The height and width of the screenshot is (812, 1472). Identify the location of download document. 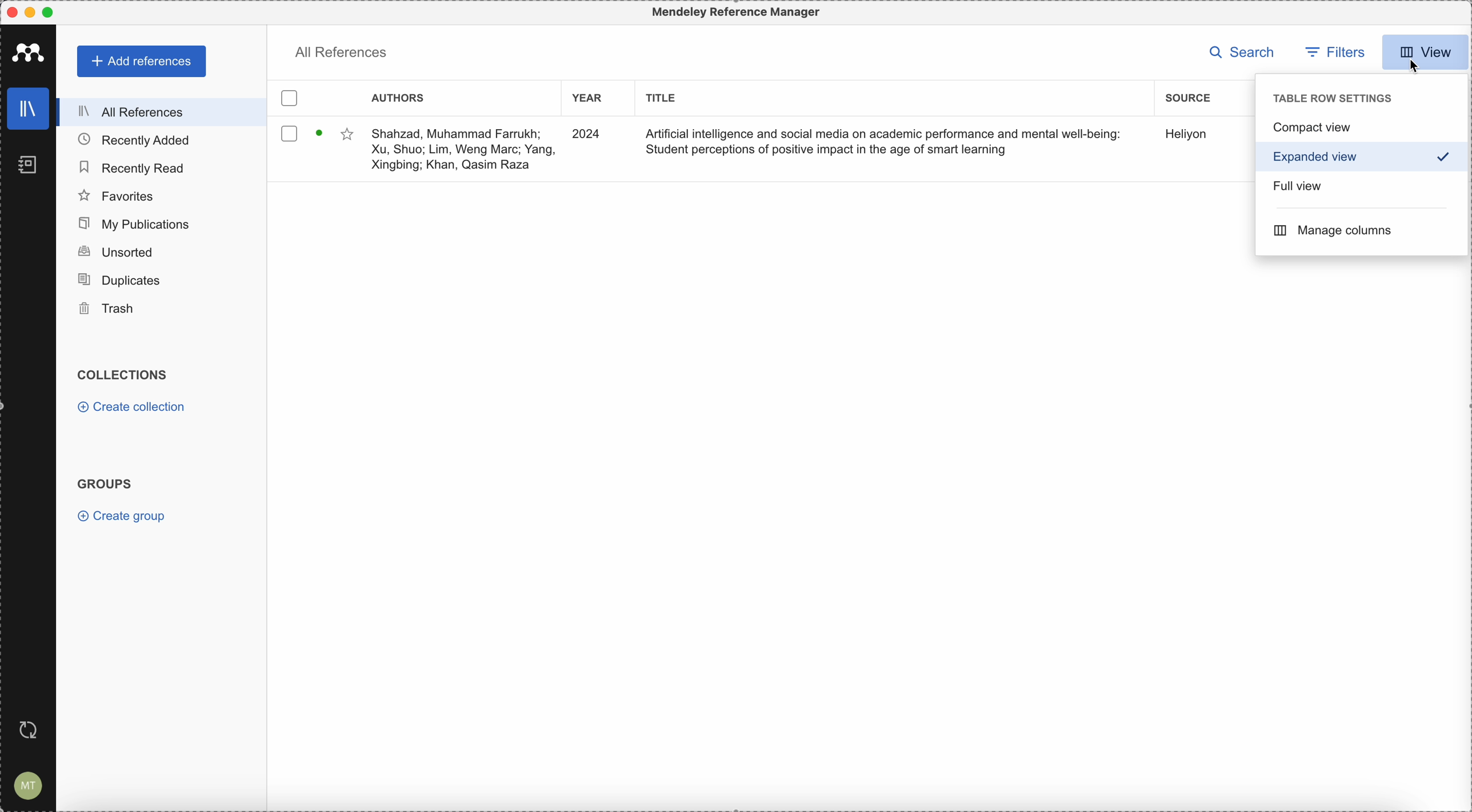
(319, 133).